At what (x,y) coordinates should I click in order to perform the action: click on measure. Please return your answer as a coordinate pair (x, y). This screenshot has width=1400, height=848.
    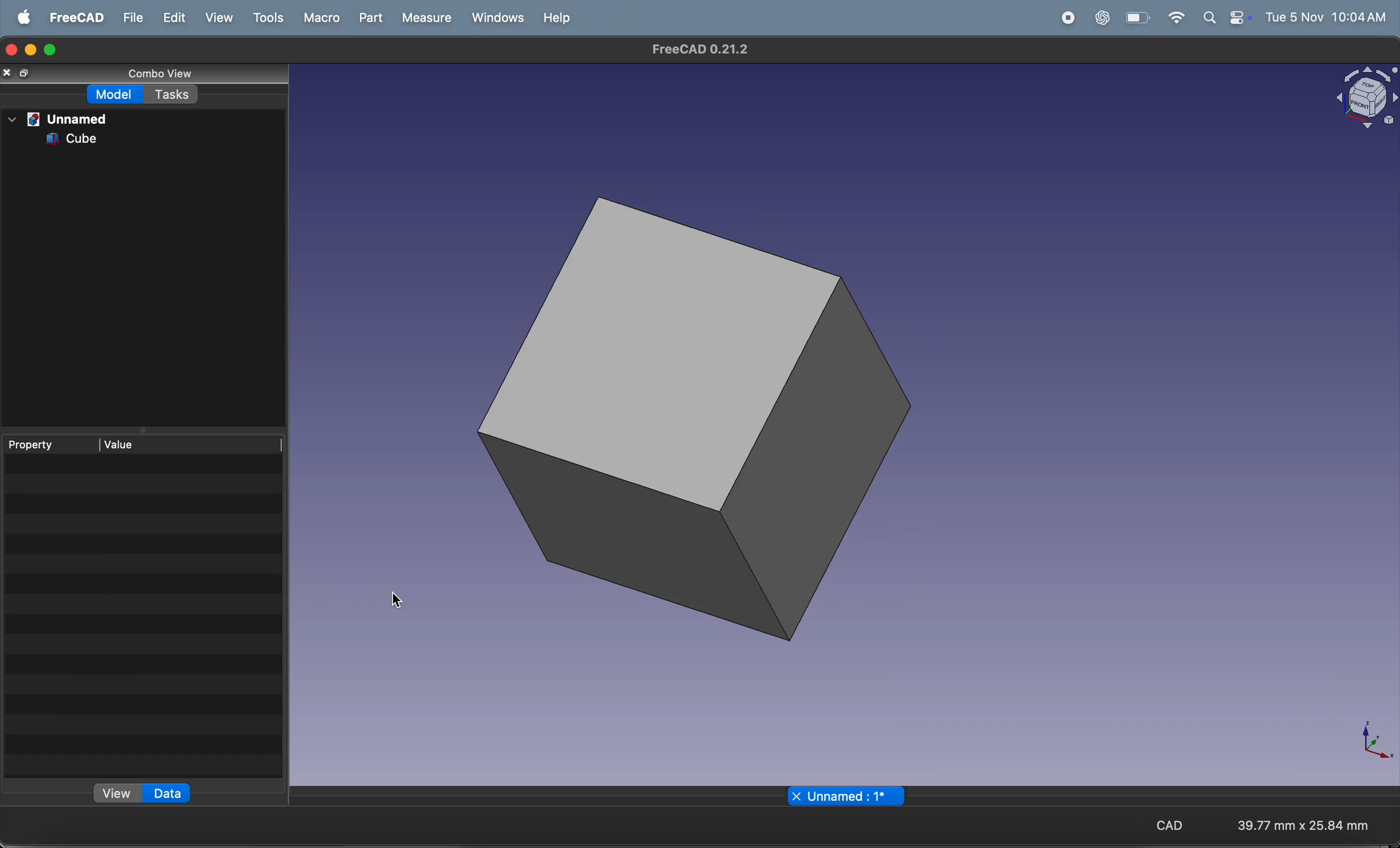
    Looking at the image, I should click on (429, 18).